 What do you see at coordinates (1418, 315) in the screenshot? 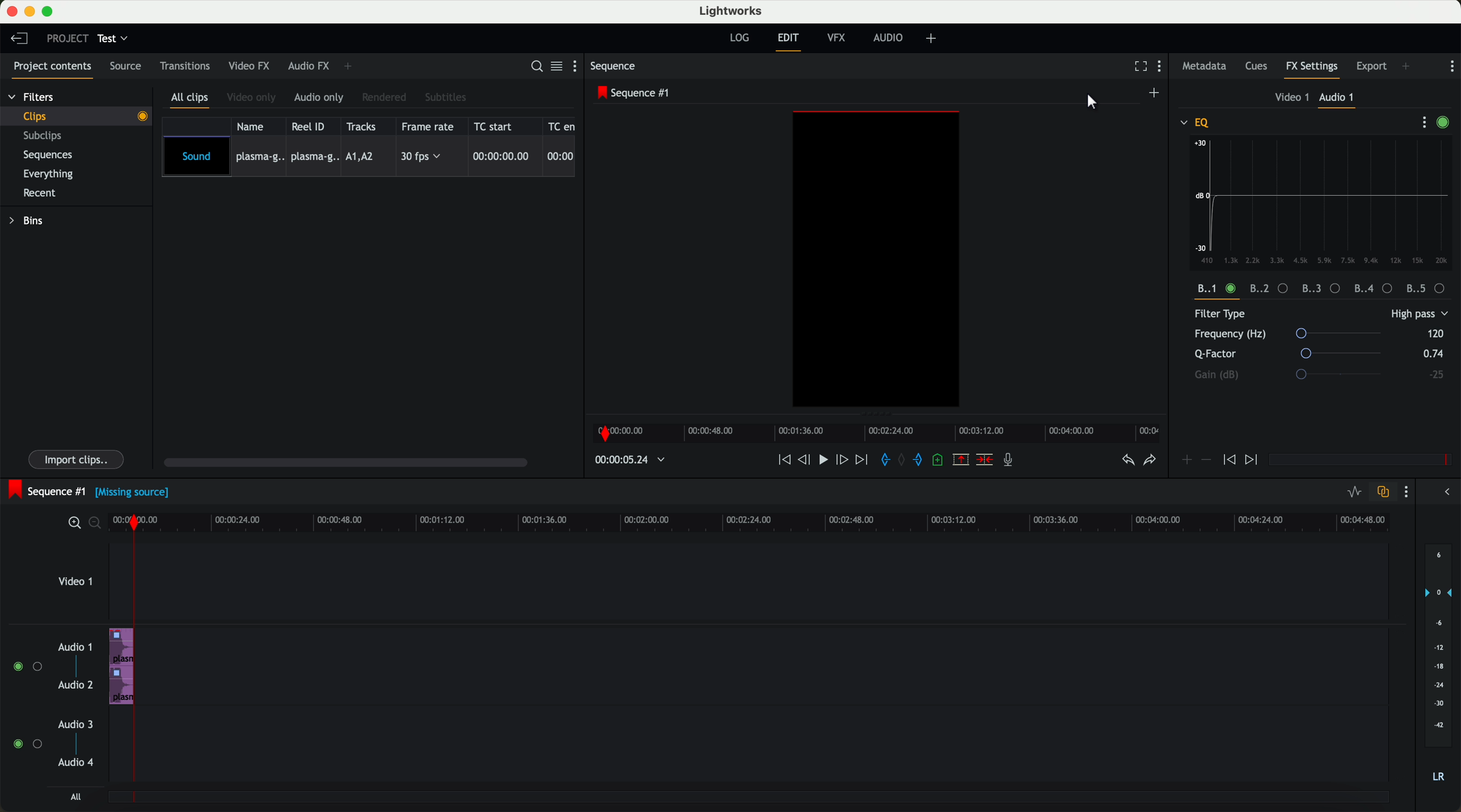
I see `high pass` at bounding box center [1418, 315].